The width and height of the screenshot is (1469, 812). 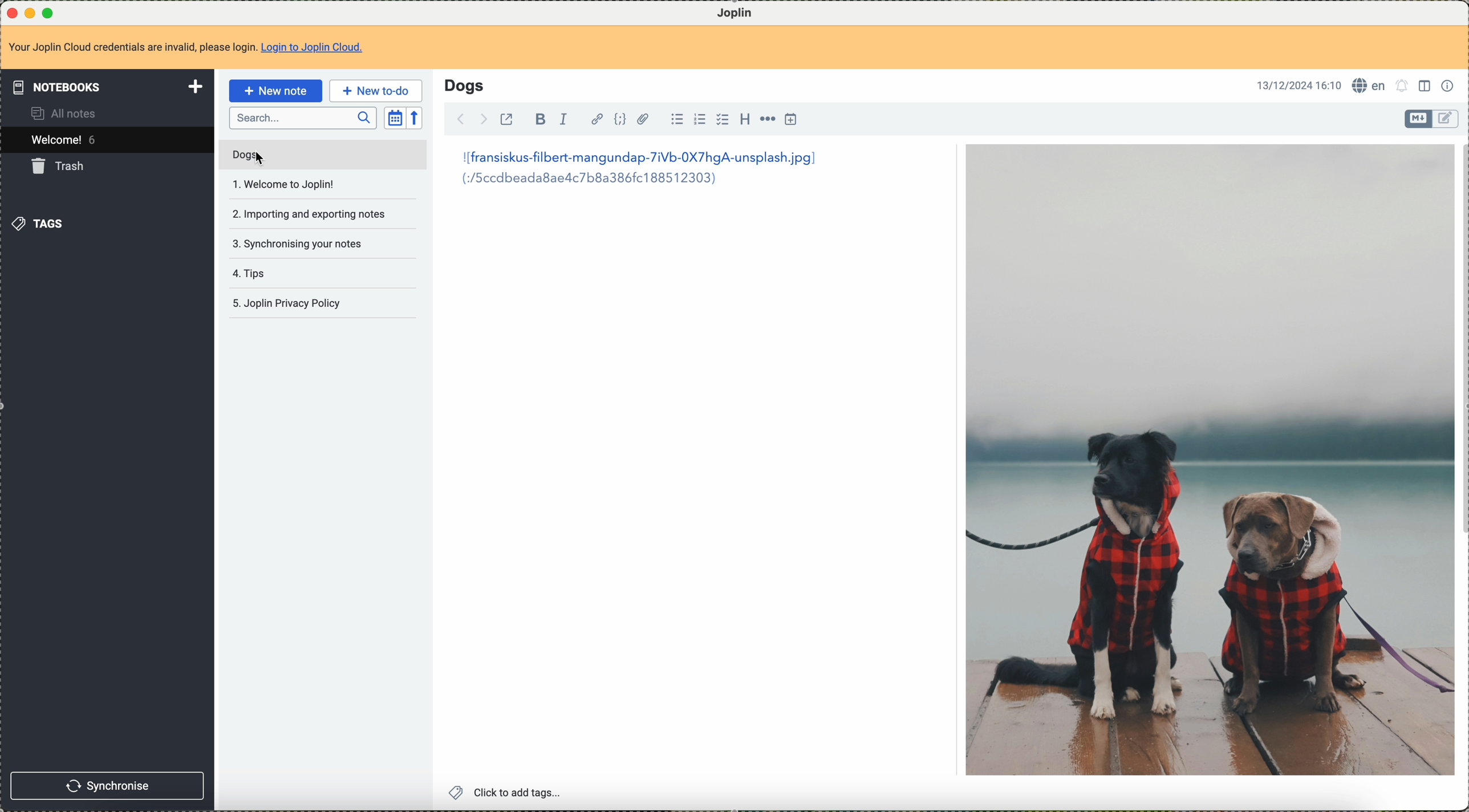 I want to click on tags, so click(x=42, y=226).